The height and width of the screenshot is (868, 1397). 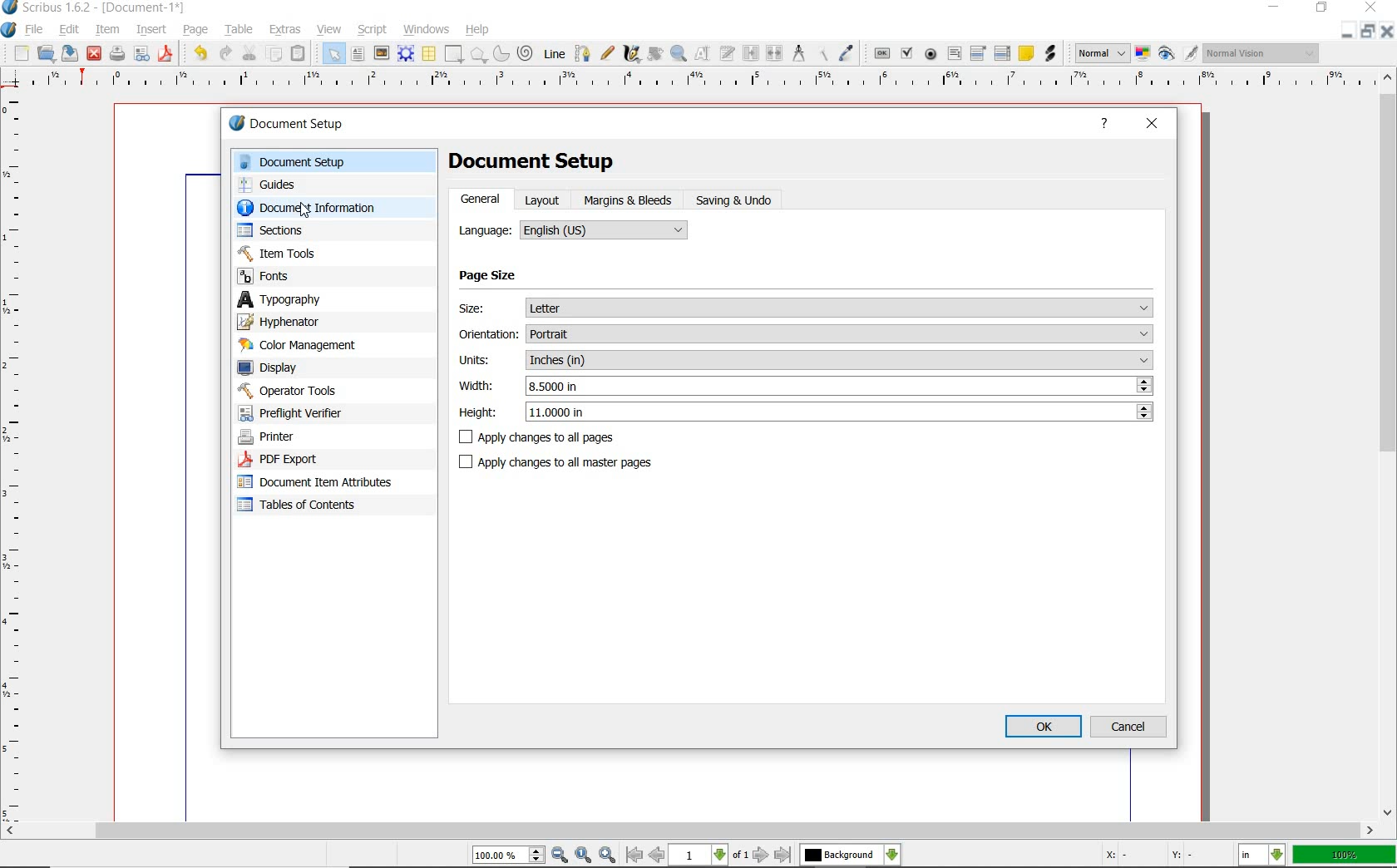 What do you see at coordinates (151, 29) in the screenshot?
I see `insert` at bounding box center [151, 29].